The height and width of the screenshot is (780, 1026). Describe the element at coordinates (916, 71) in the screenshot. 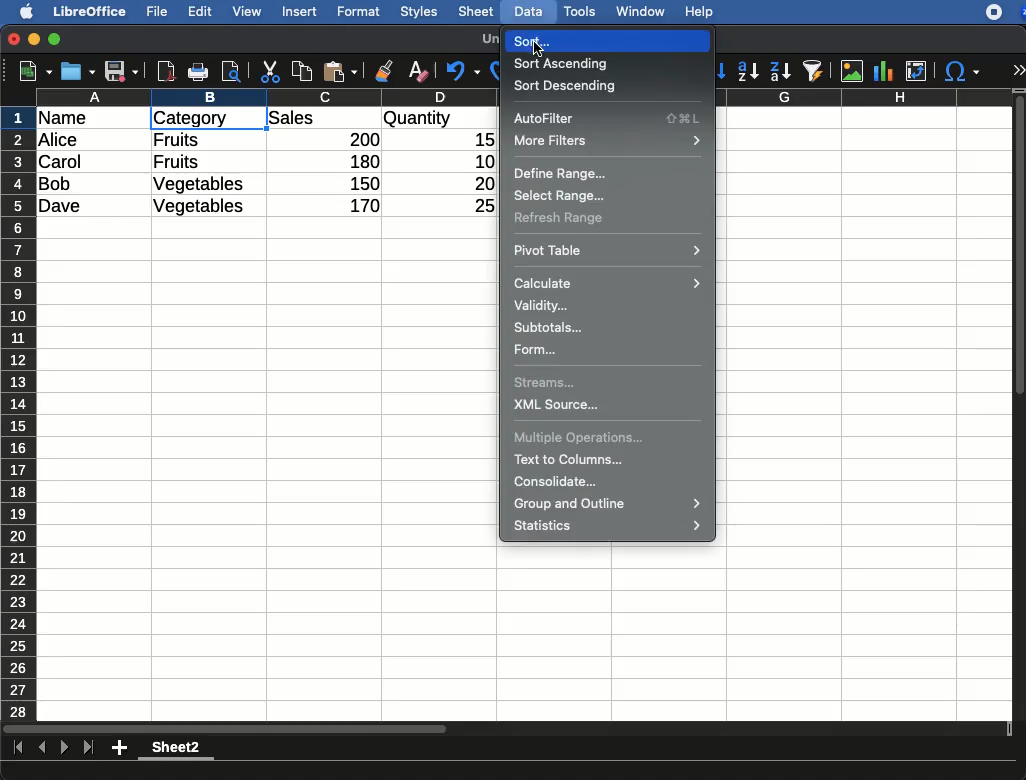

I see `pivot table` at that location.